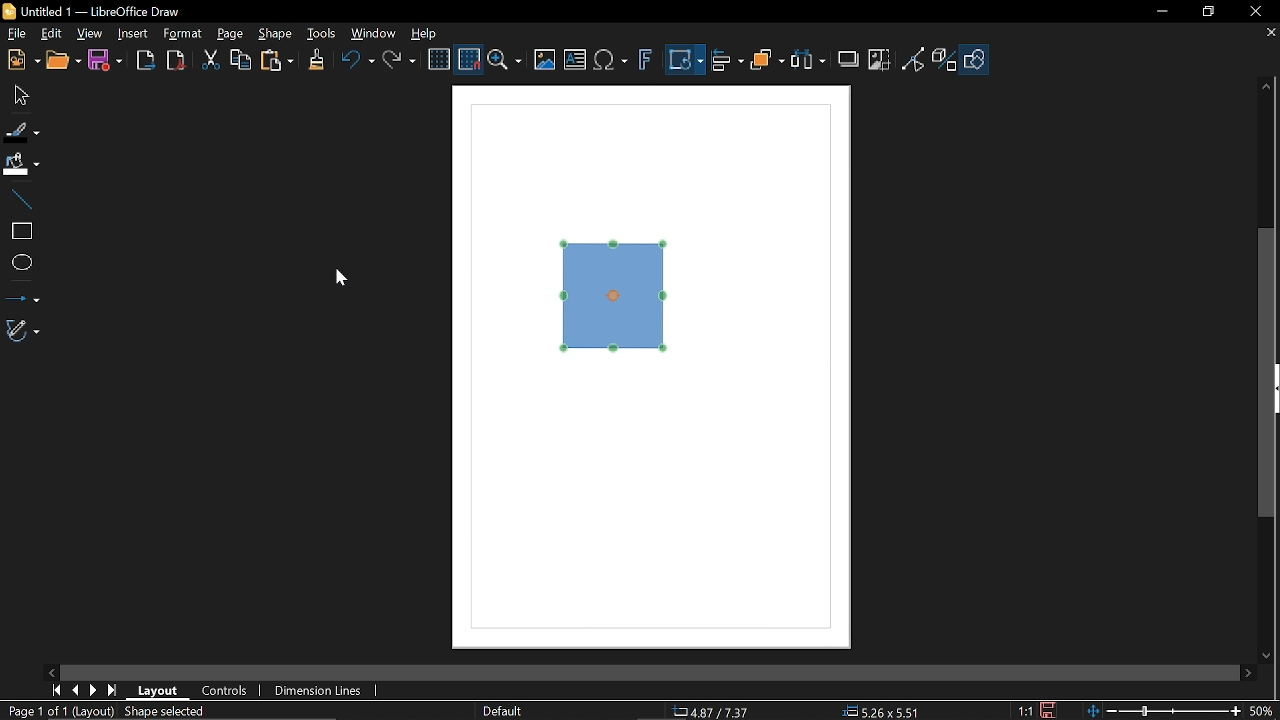 The height and width of the screenshot is (720, 1280). I want to click on 5.26x5.51 (object size ), so click(885, 711).